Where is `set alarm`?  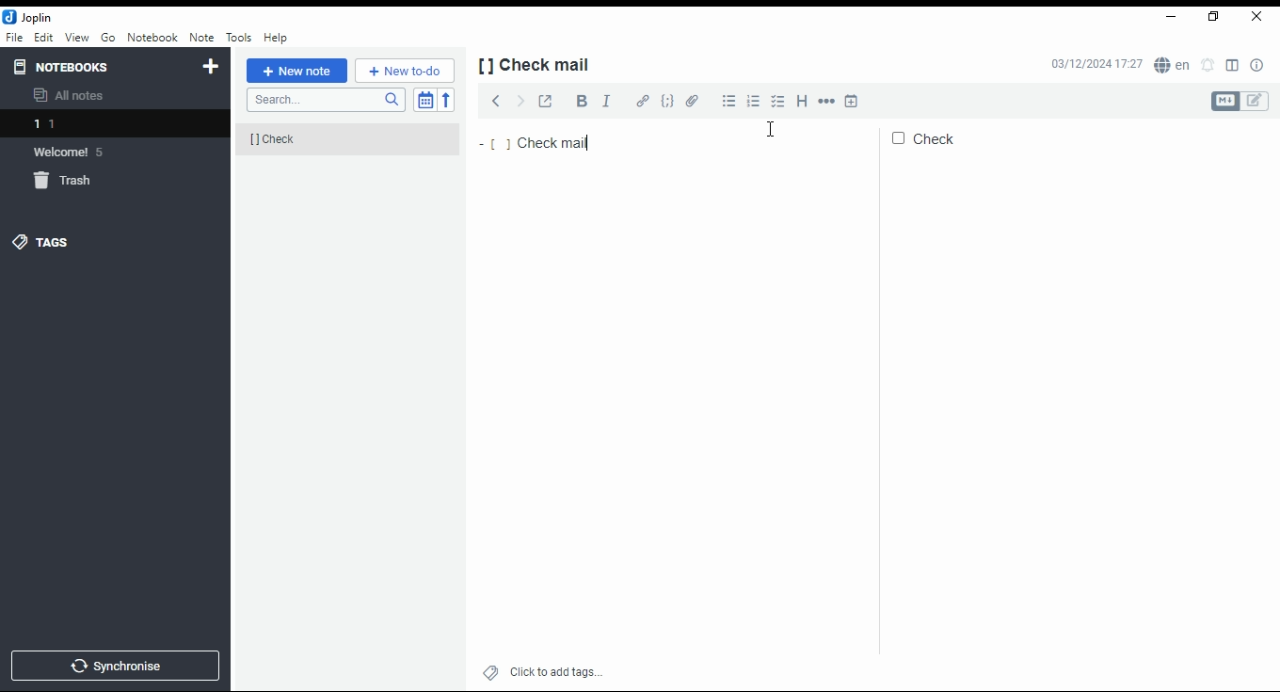
set alarm is located at coordinates (1211, 65).